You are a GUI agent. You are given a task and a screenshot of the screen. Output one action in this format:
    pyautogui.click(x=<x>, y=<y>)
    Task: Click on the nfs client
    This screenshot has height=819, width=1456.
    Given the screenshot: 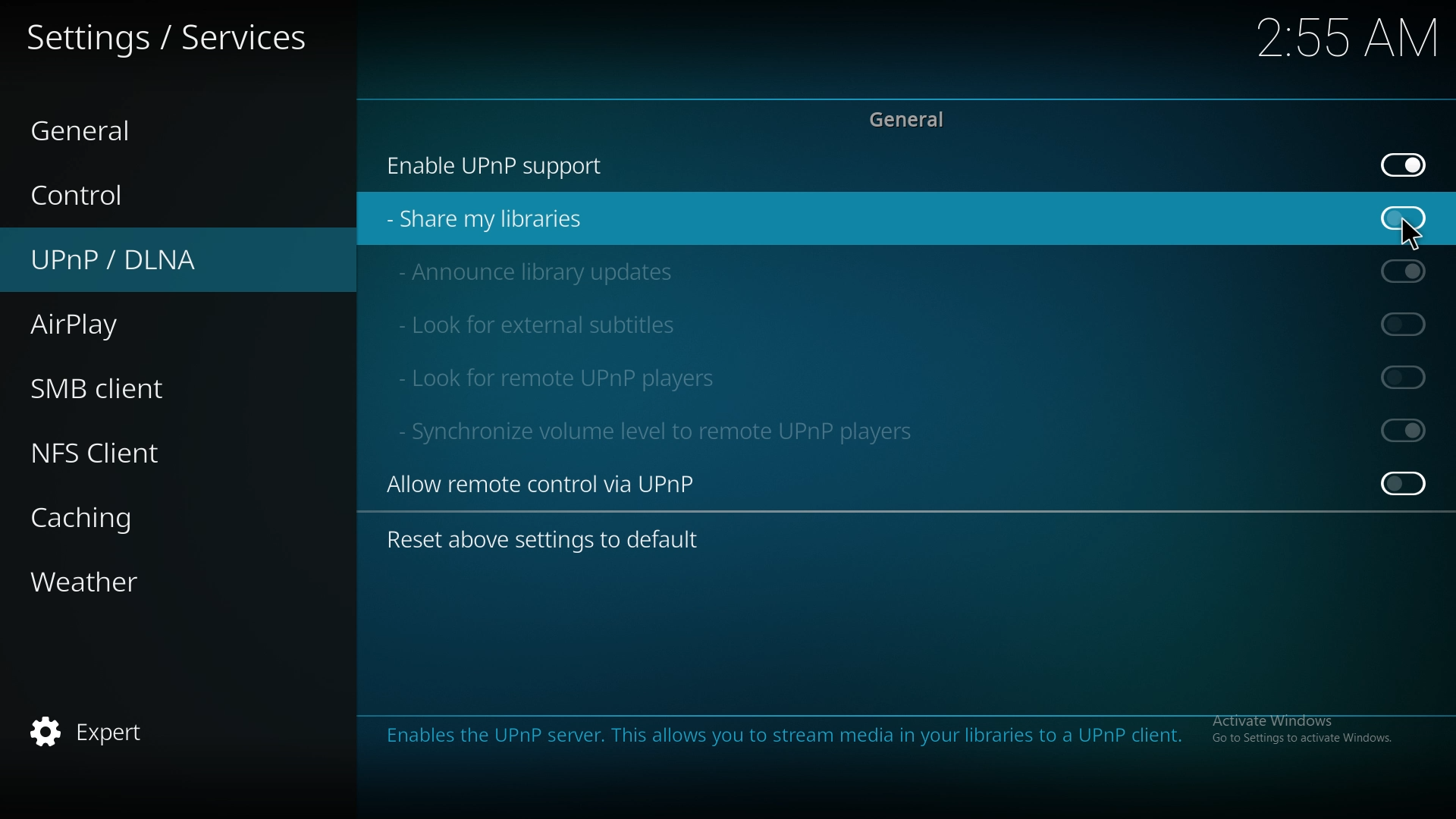 What is the action you would take?
    pyautogui.click(x=106, y=455)
    